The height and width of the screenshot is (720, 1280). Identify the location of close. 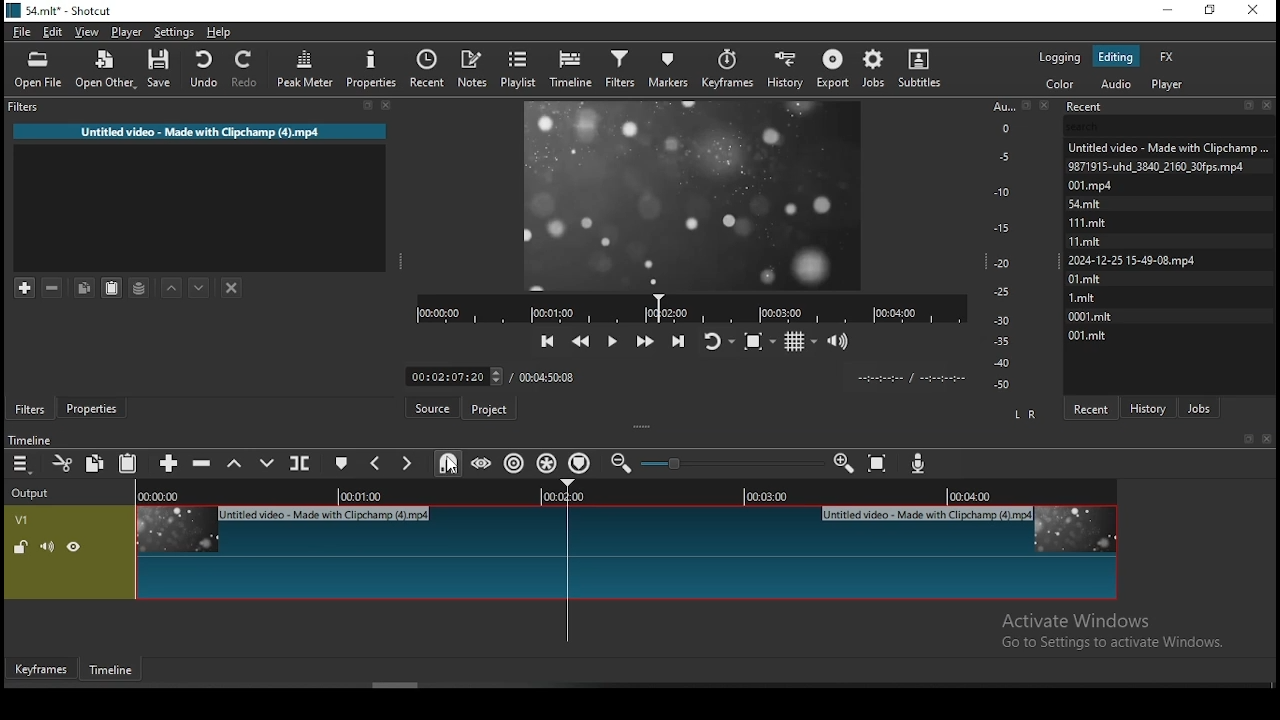
(1264, 438).